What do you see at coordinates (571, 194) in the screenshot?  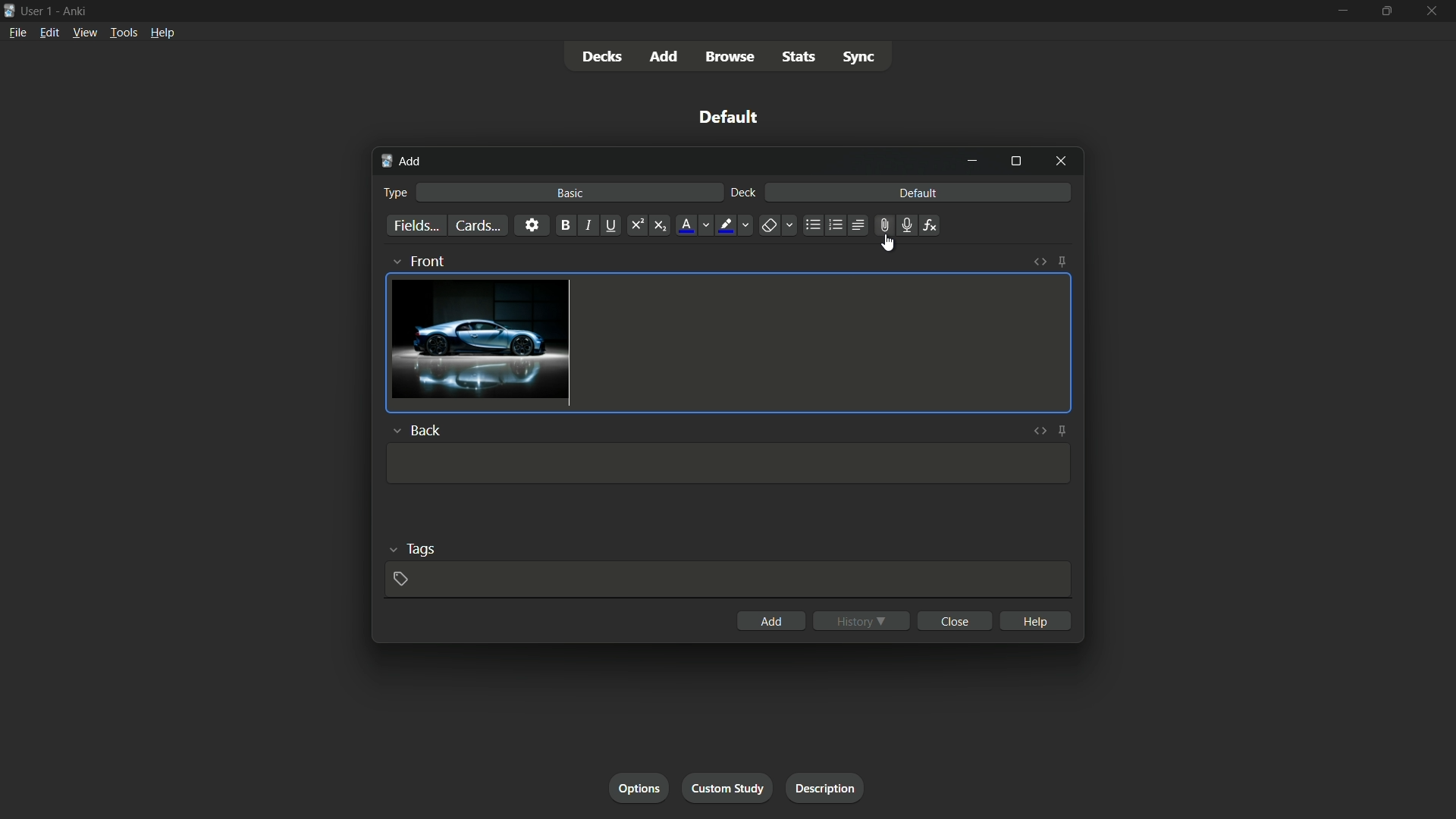 I see `basic` at bounding box center [571, 194].